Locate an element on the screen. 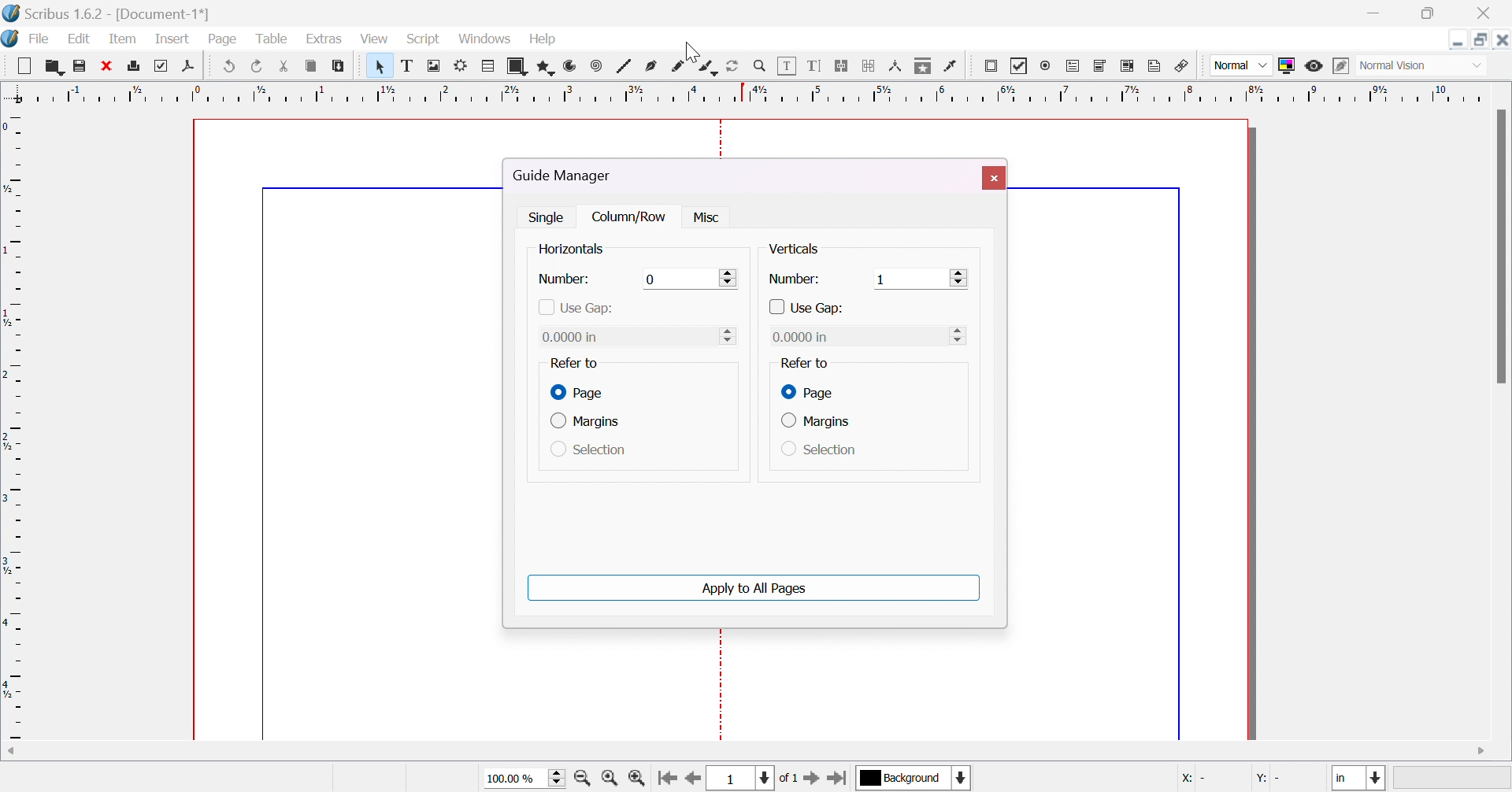 This screenshot has width=1512, height=792. windows is located at coordinates (483, 39).